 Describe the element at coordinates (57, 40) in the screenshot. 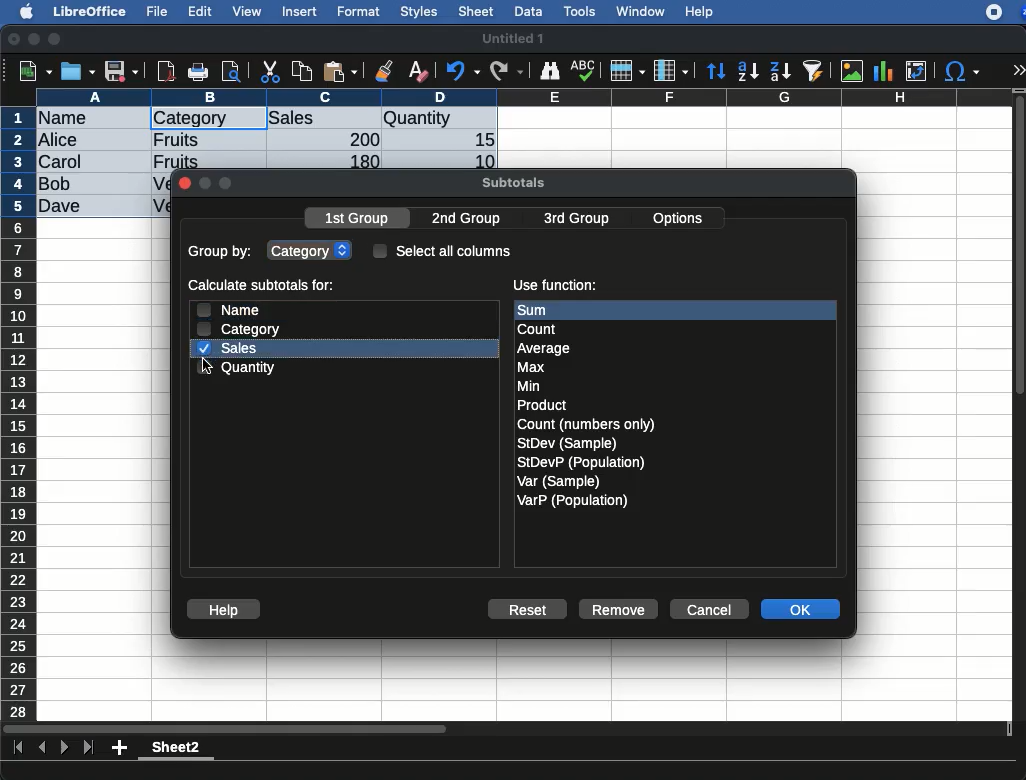

I see `maximize` at that location.